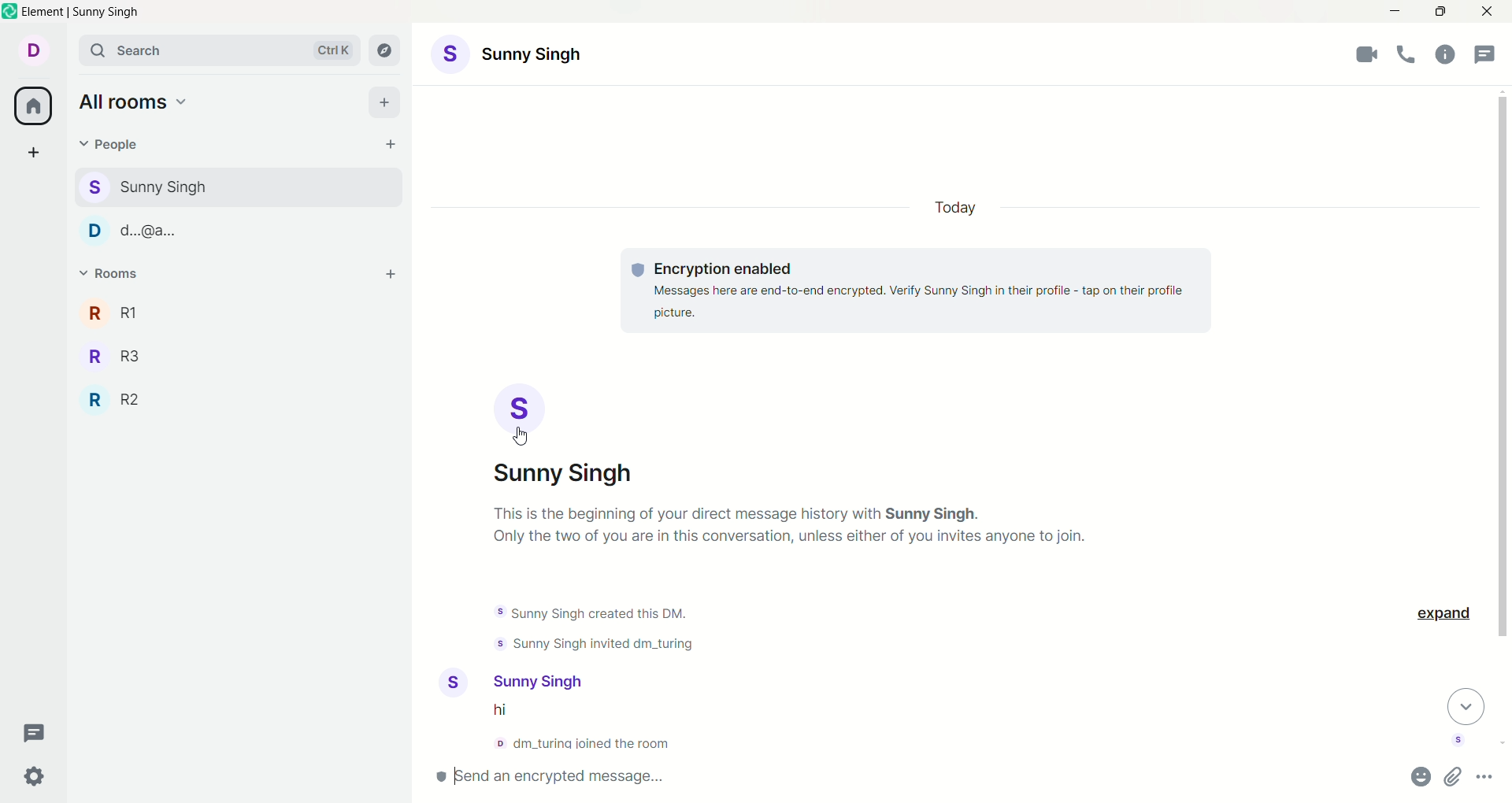  What do you see at coordinates (120, 354) in the screenshot?
I see `R3` at bounding box center [120, 354].